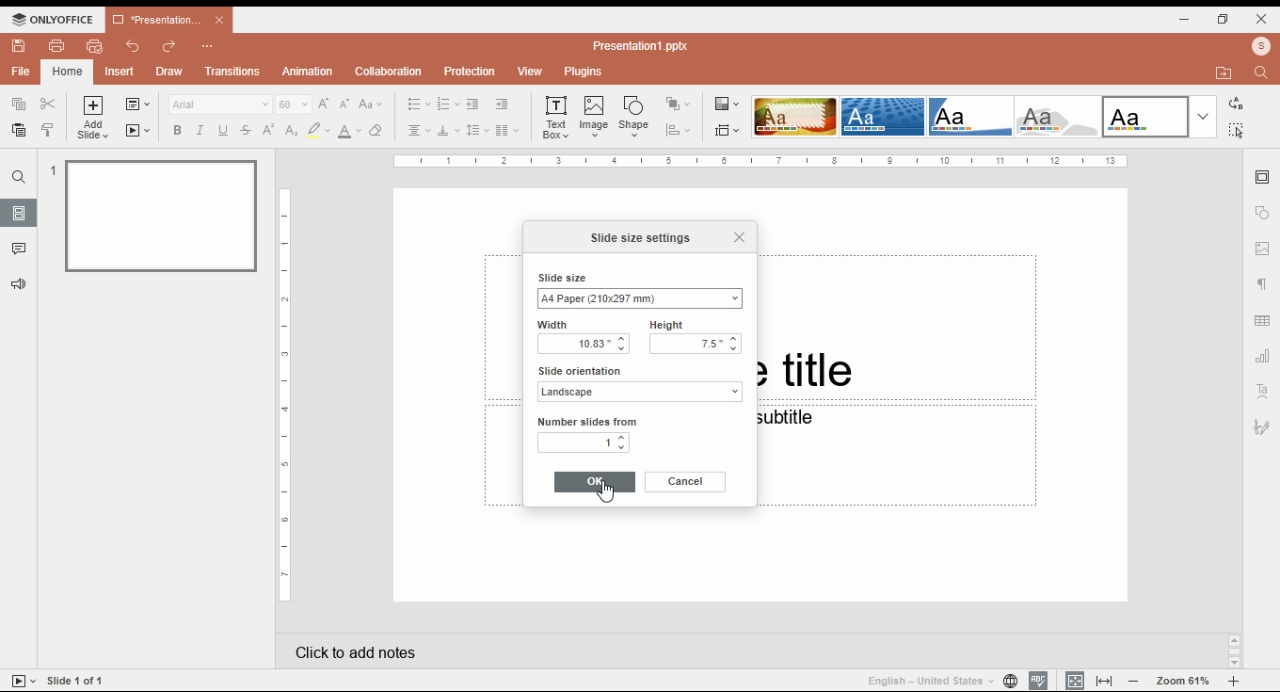 This screenshot has height=692, width=1280. Describe the element at coordinates (448, 105) in the screenshot. I see `numbering` at that location.